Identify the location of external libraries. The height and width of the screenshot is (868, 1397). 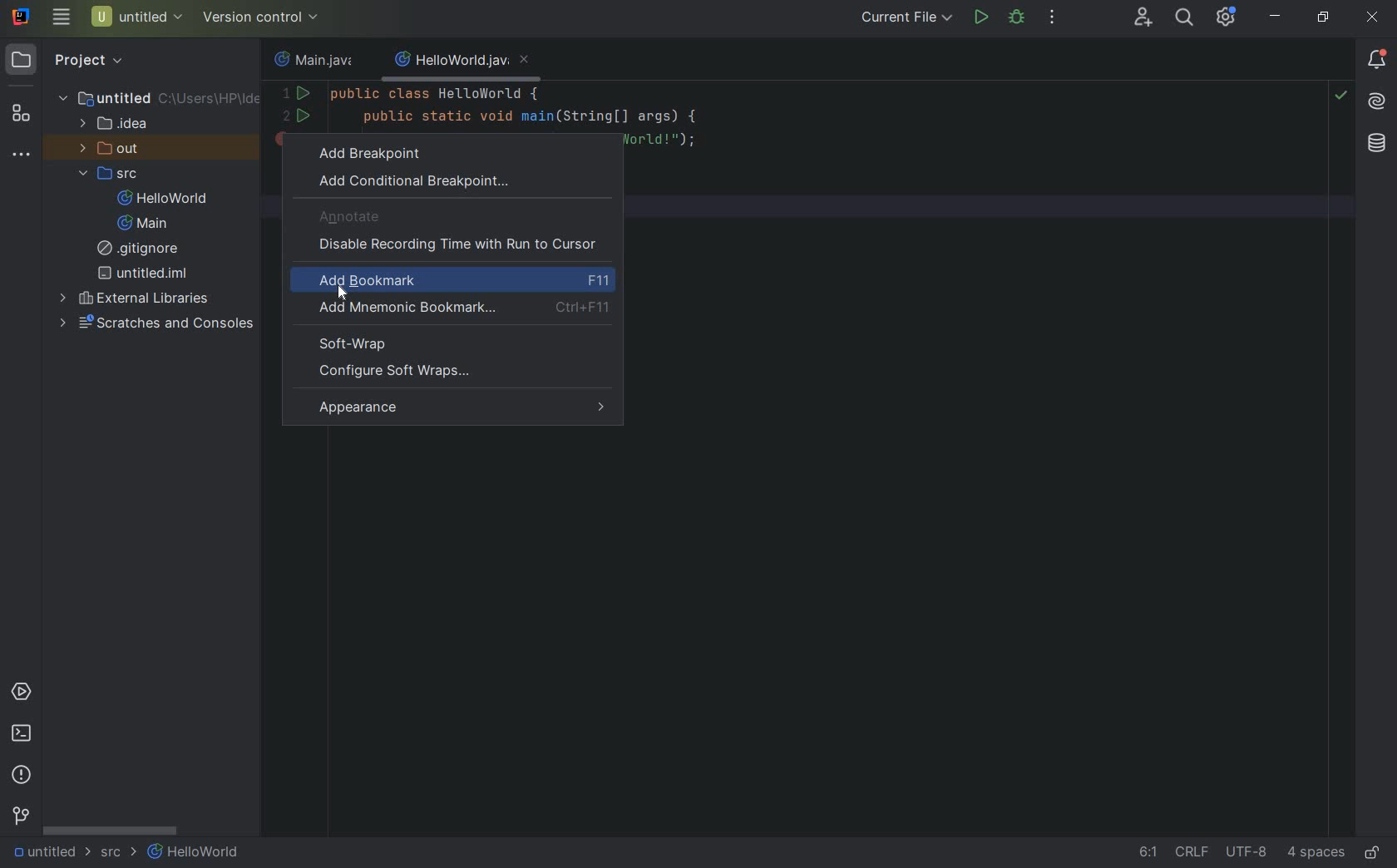
(137, 298).